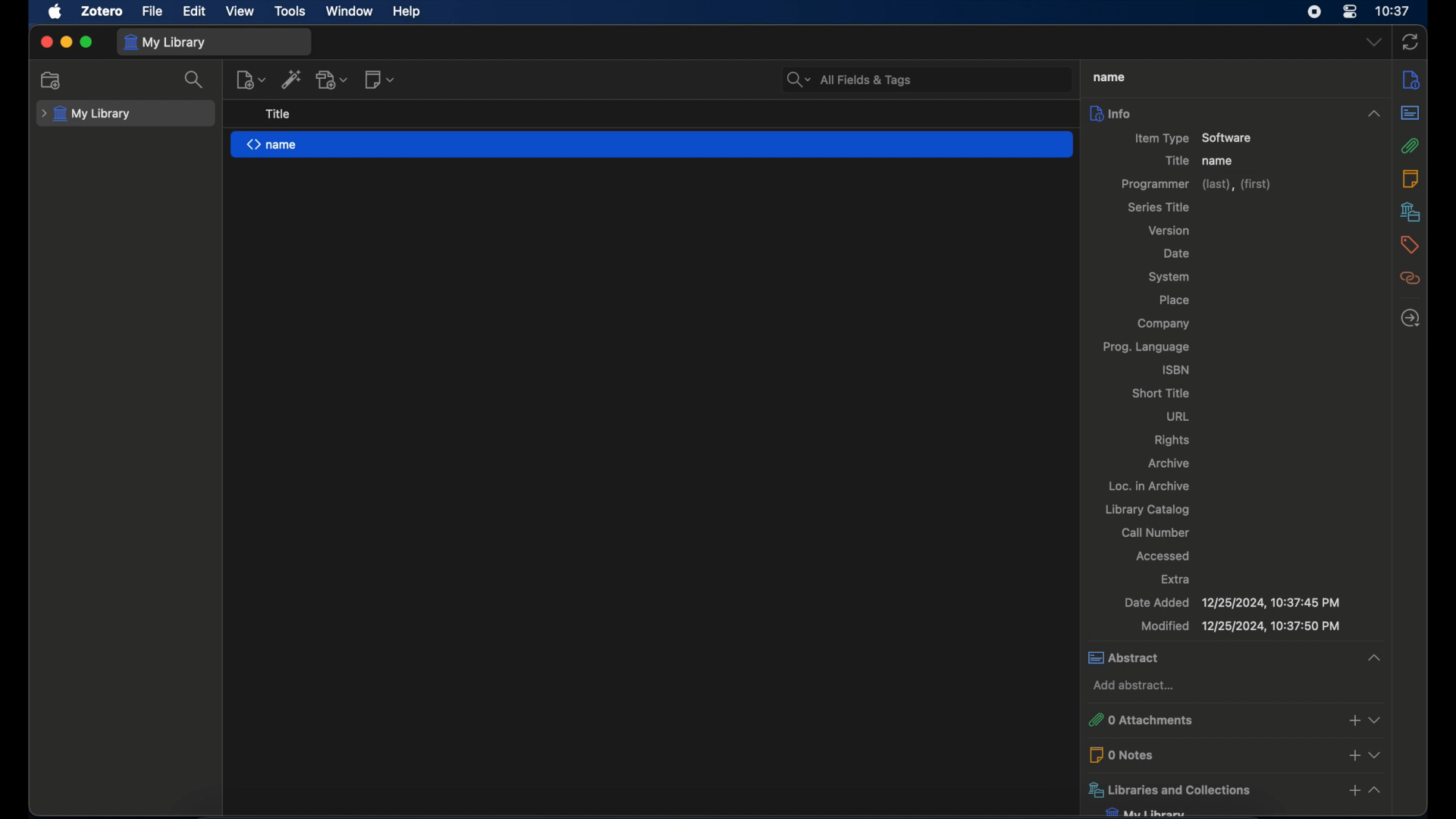 This screenshot has height=819, width=1456. I want to click on accessed, so click(1164, 555).